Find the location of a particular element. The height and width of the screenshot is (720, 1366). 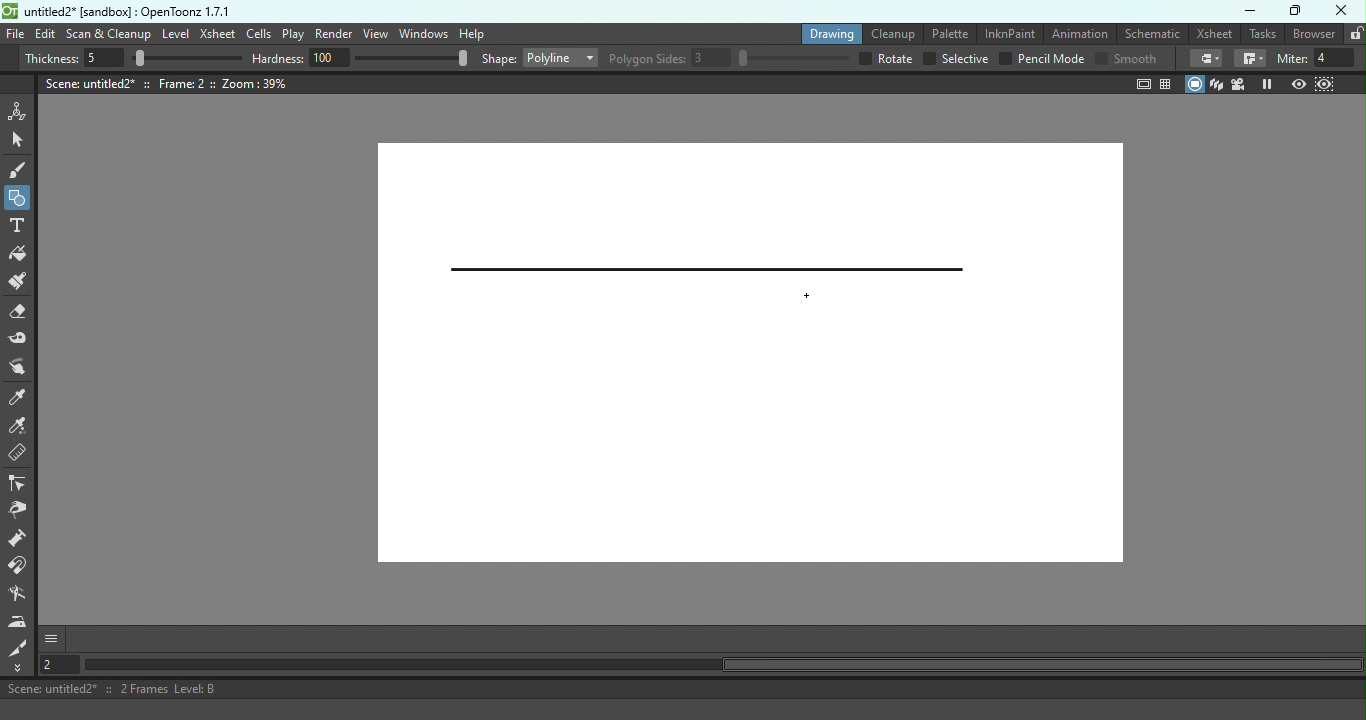

untitled2* [sandbox] : OpenToonz 1.7.1 is located at coordinates (116, 10).